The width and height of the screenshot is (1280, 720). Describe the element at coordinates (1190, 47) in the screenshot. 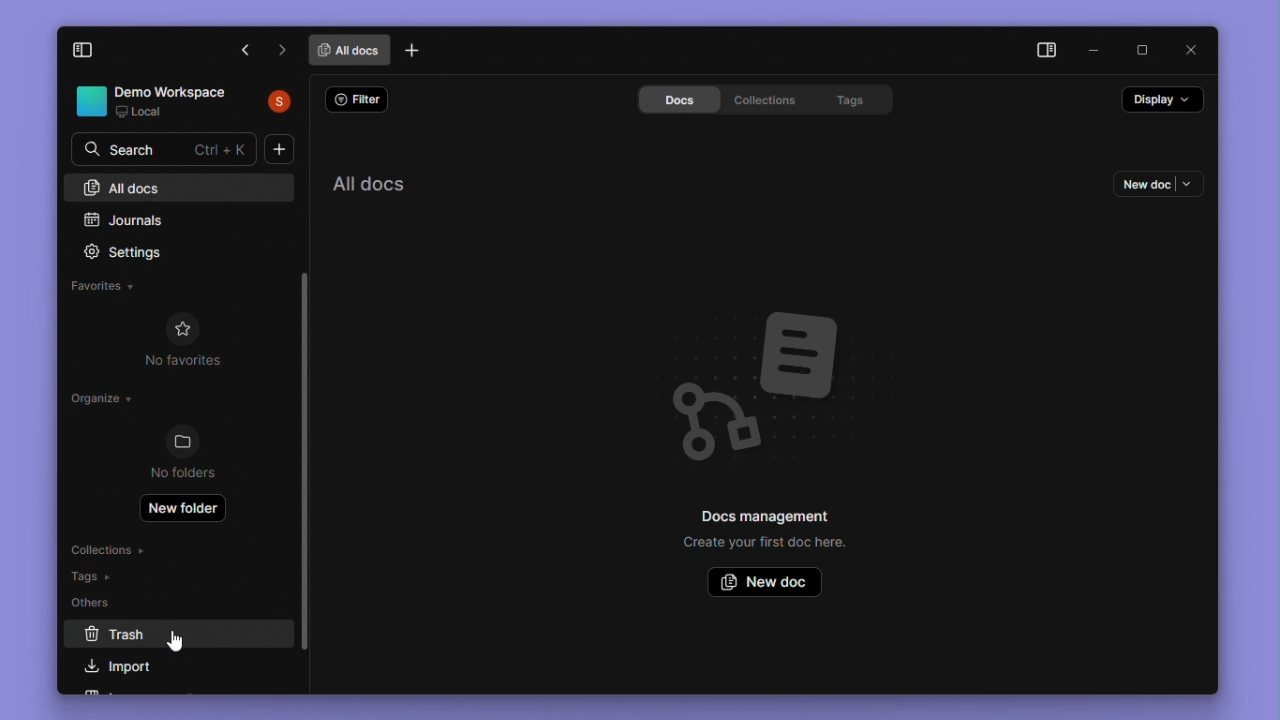

I see `close` at that location.